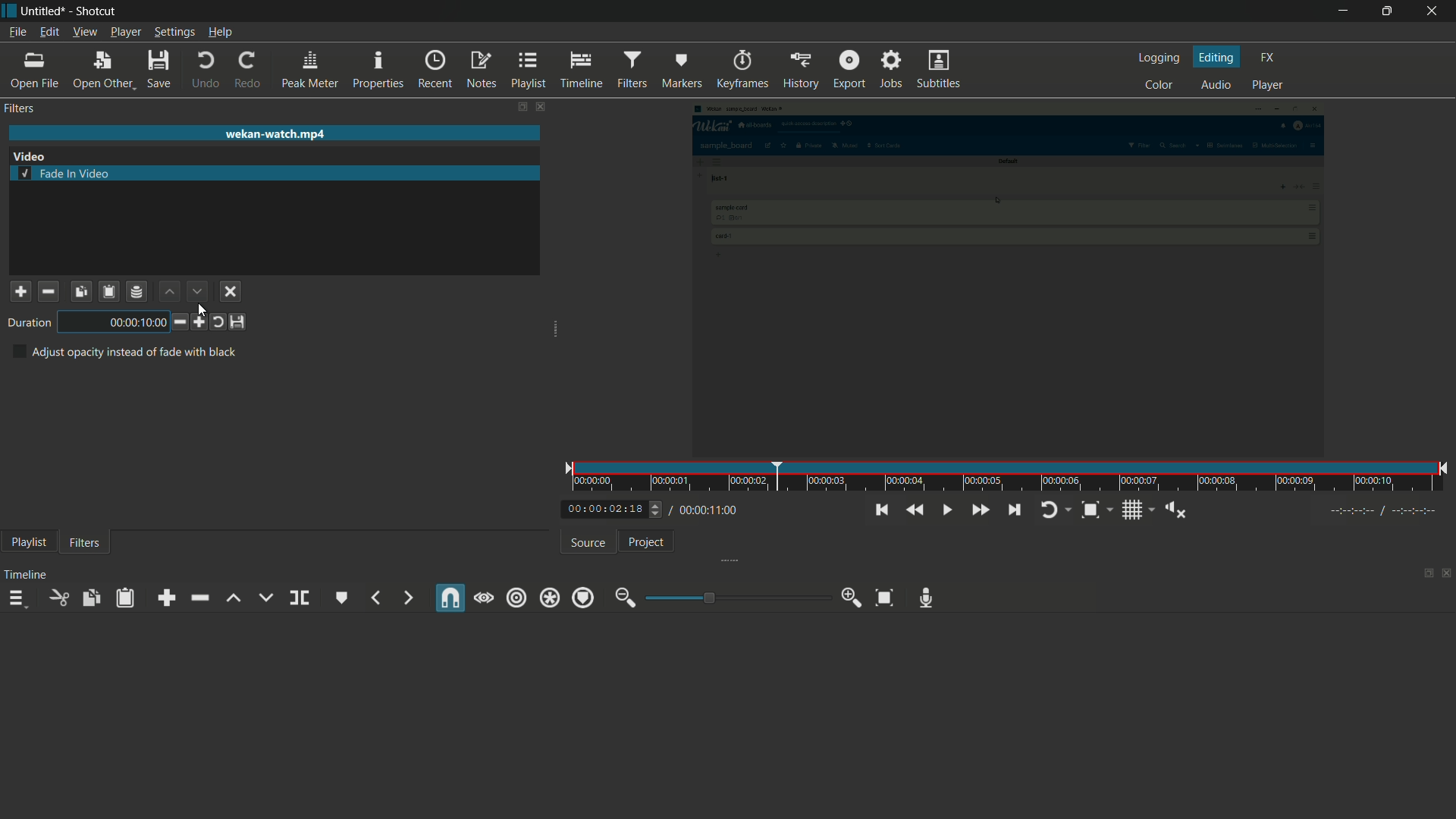  What do you see at coordinates (115, 322) in the screenshot?
I see `10` at bounding box center [115, 322].